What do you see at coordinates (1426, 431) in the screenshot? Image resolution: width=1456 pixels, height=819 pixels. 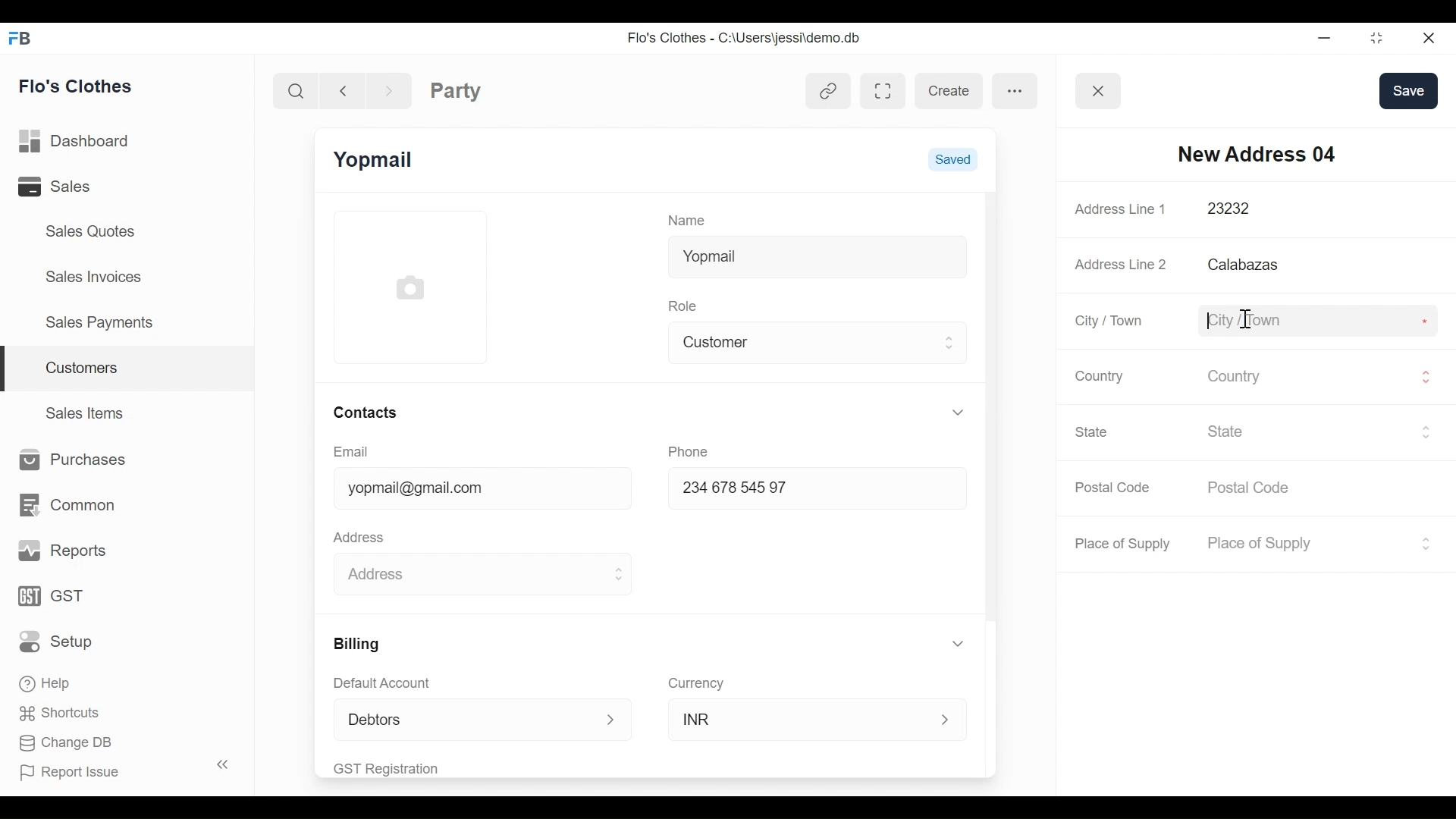 I see `Expand` at bounding box center [1426, 431].